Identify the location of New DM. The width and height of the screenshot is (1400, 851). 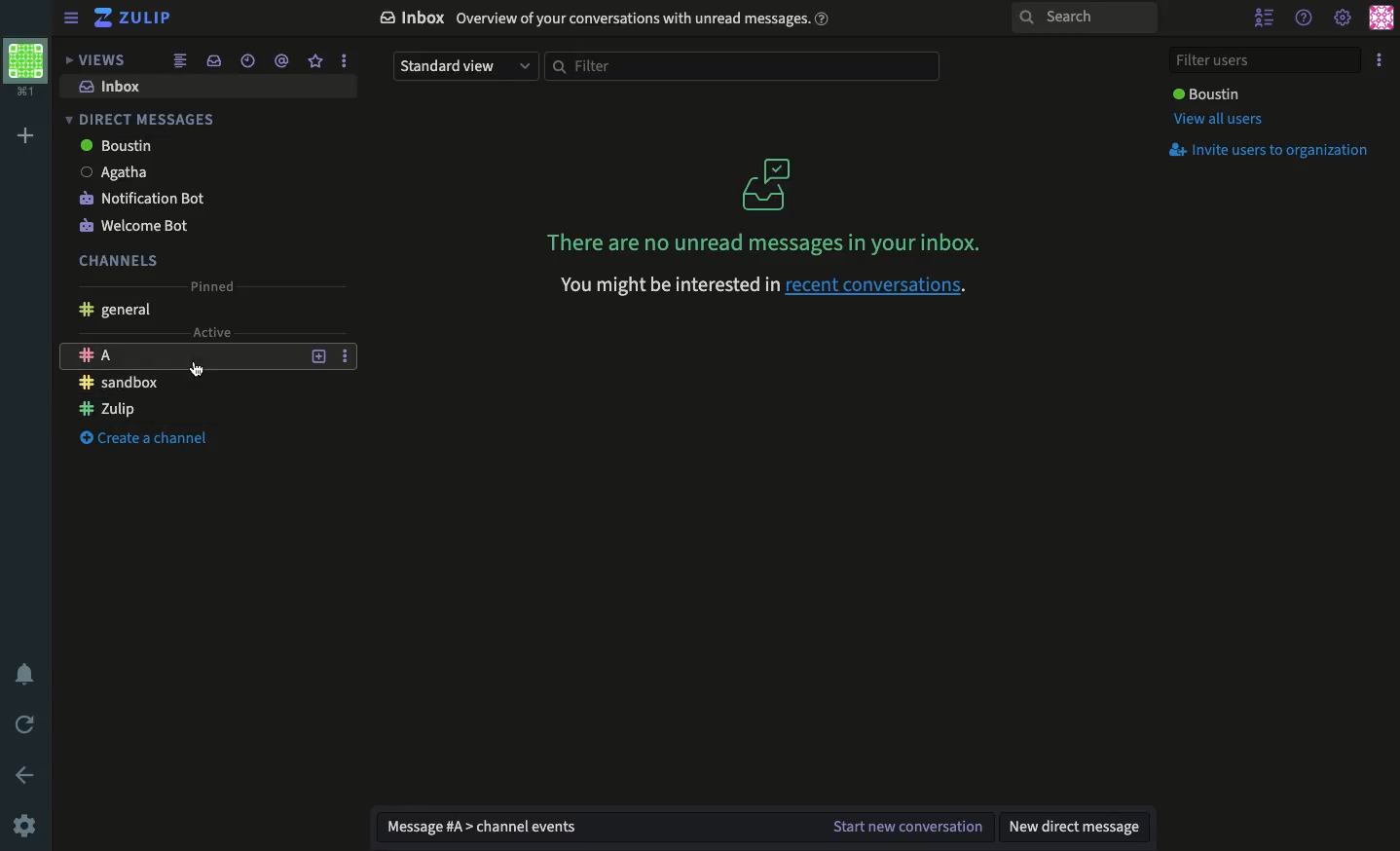
(1081, 829).